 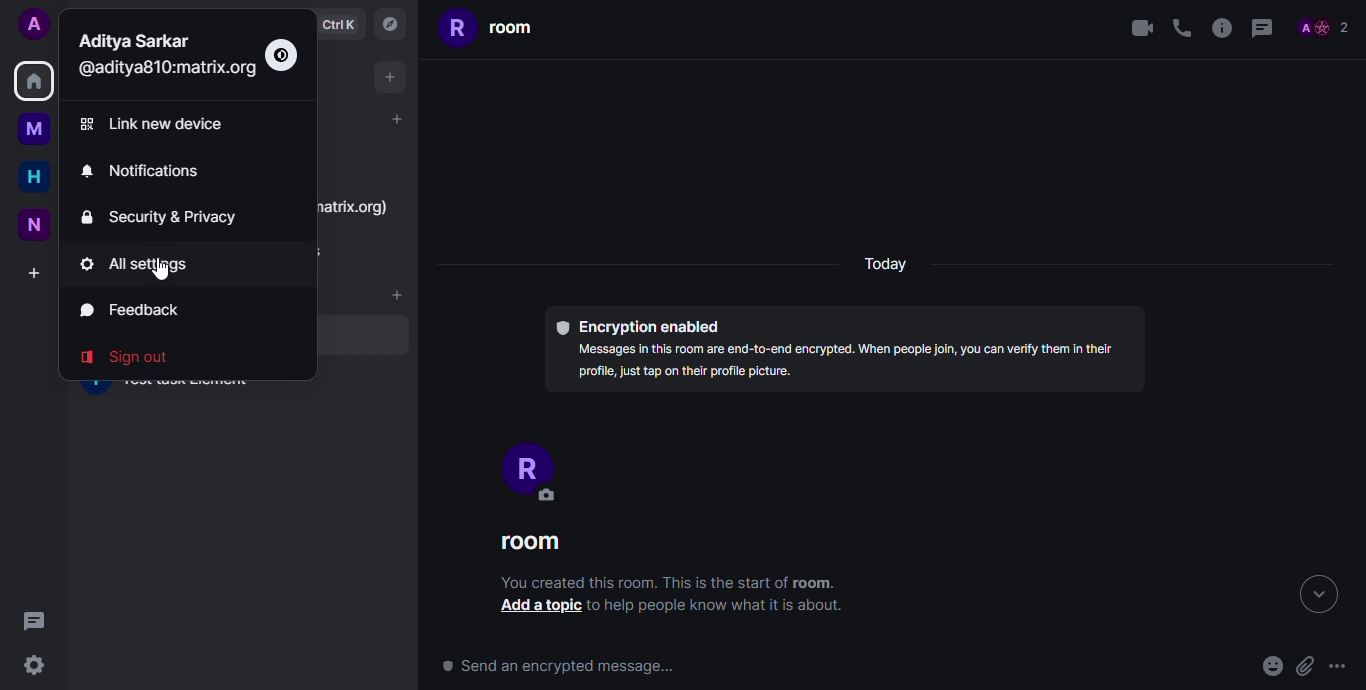 I want to click on feedback, so click(x=130, y=310).